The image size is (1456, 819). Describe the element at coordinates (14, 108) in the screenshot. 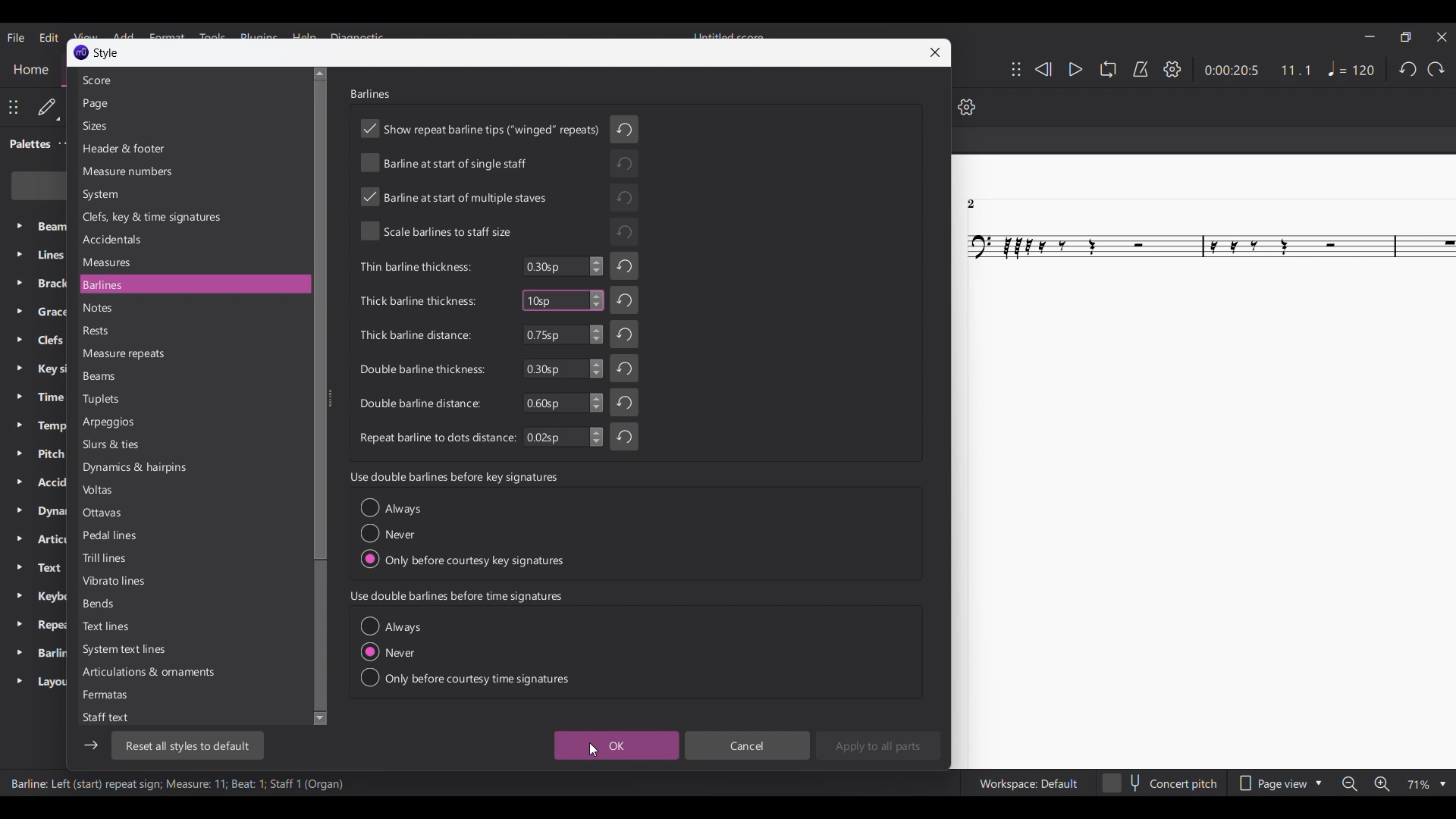

I see `Change toolbar position` at that location.